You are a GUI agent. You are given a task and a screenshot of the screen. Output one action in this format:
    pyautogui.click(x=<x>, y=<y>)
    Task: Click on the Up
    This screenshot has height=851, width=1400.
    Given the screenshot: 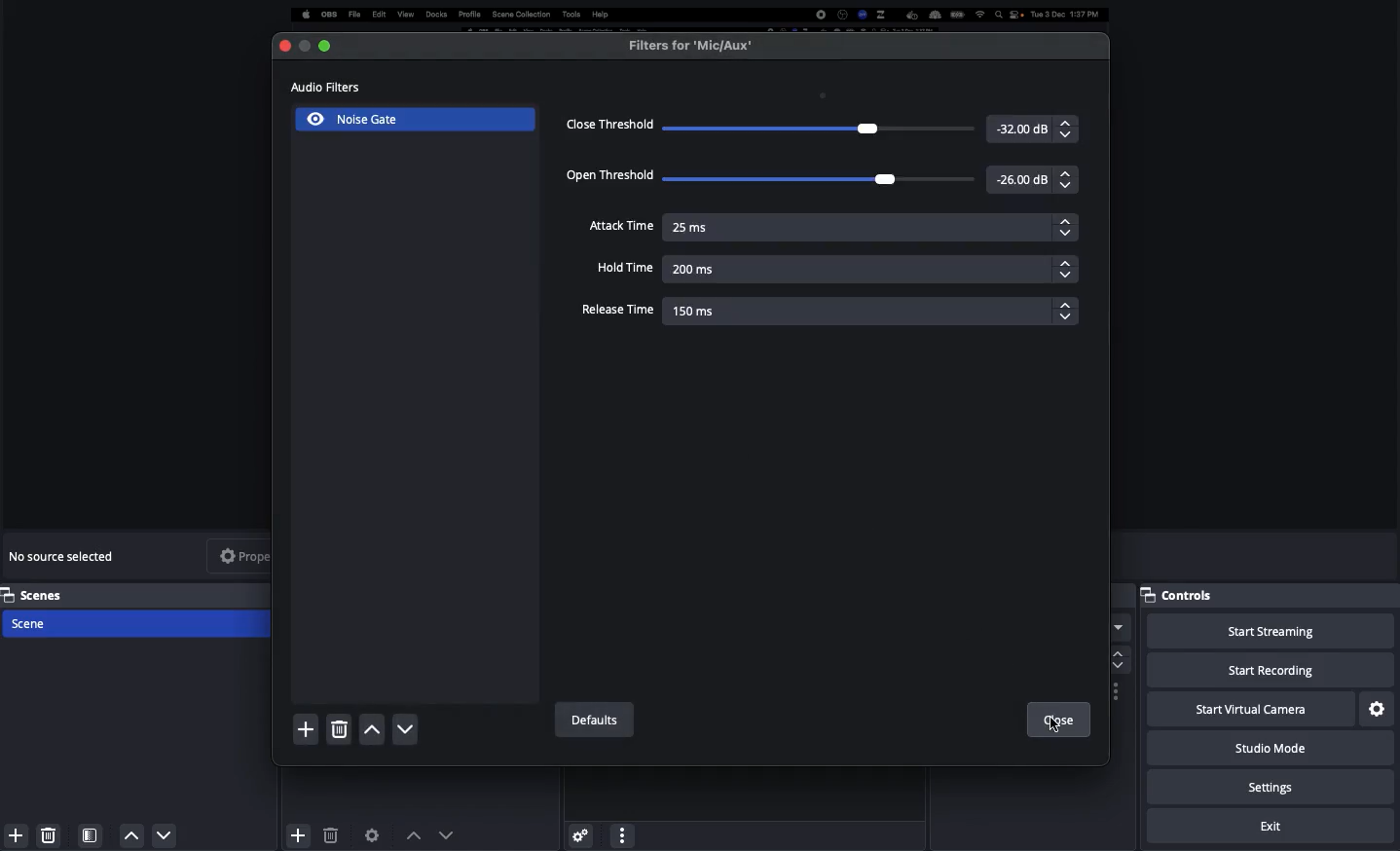 What is the action you would take?
    pyautogui.click(x=132, y=835)
    